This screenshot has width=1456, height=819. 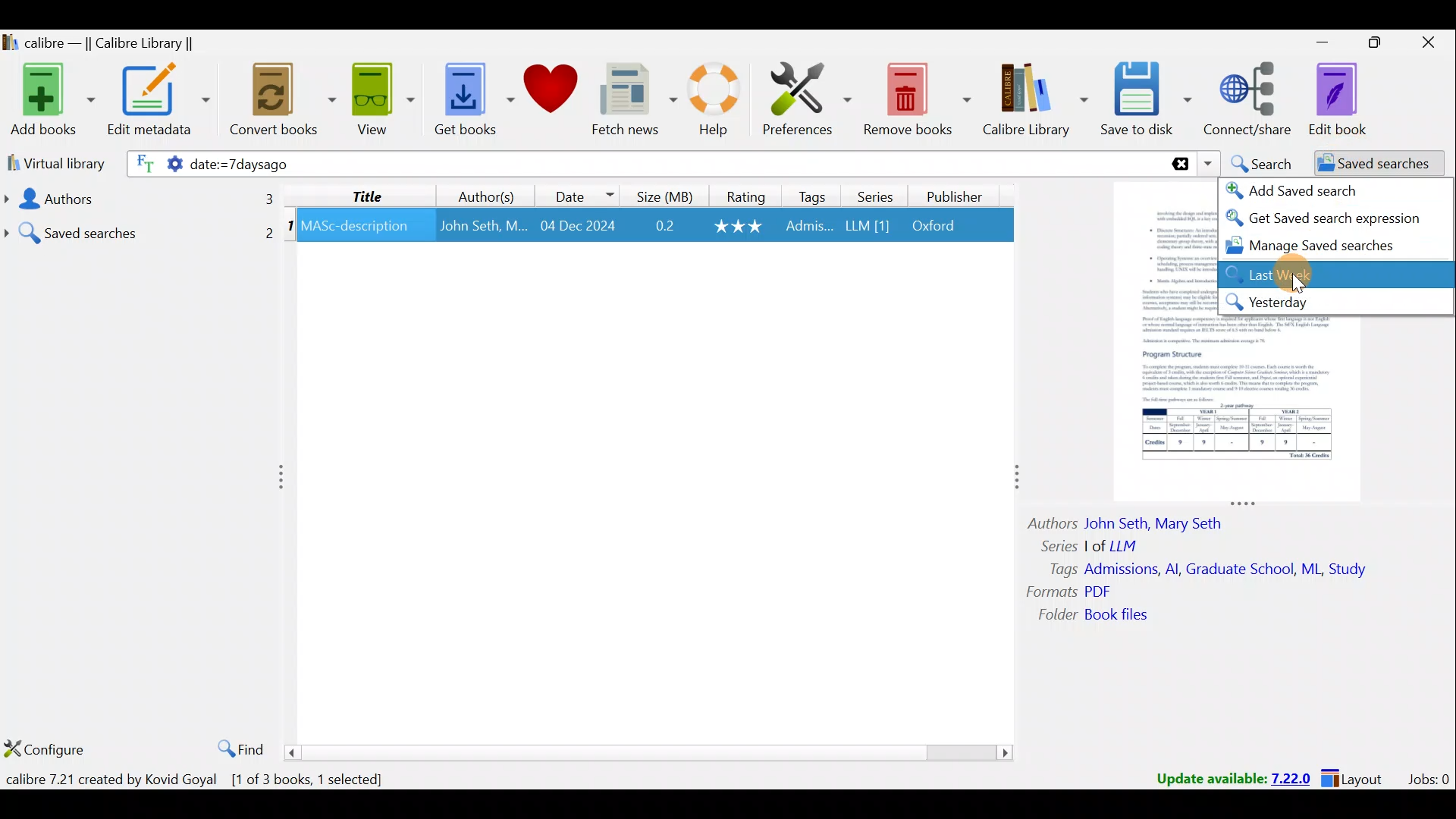 I want to click on 0.2, so click(x=665, y=227).